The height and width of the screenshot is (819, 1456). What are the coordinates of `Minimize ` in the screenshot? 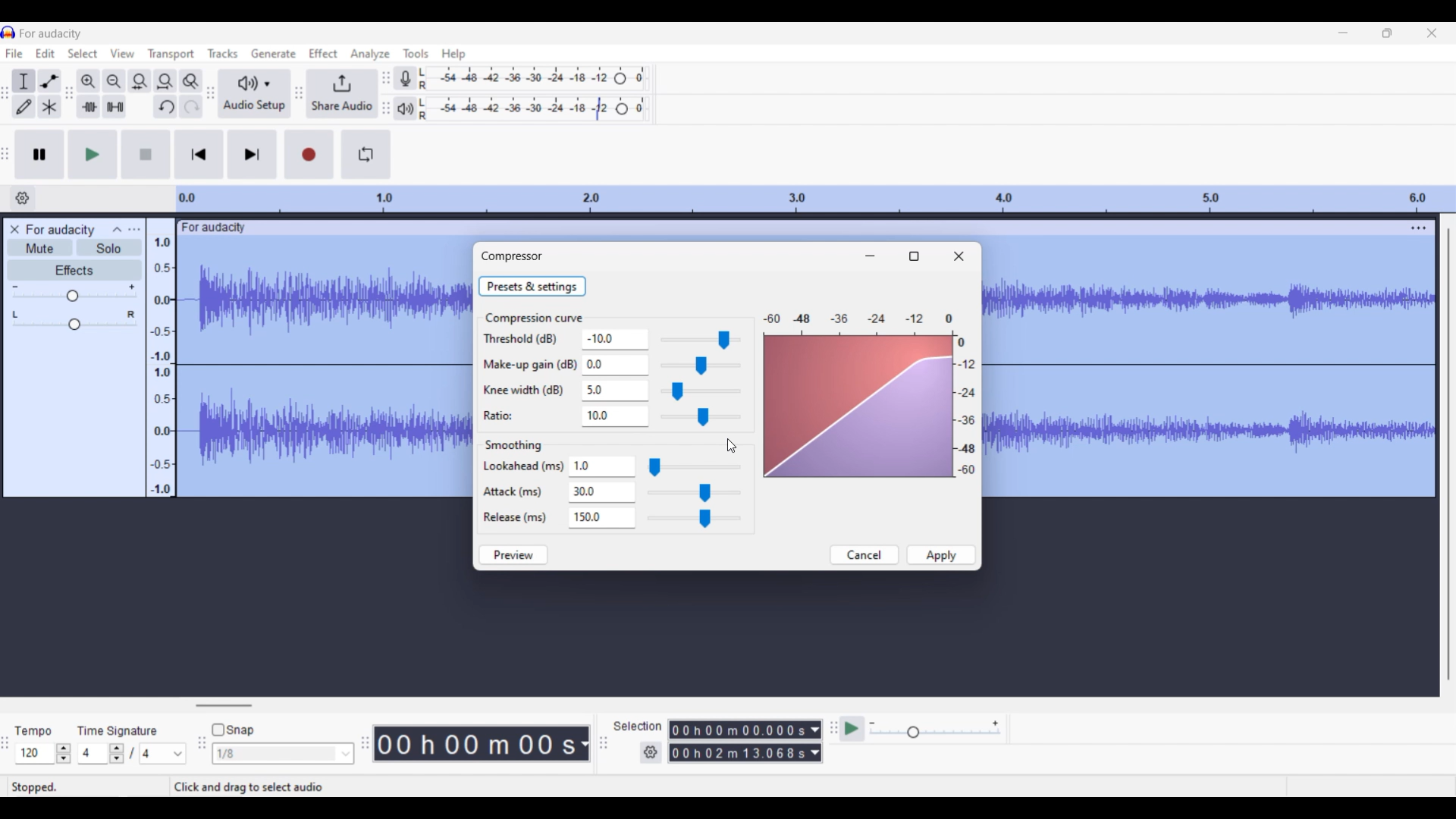 It's located at (1343, 33).